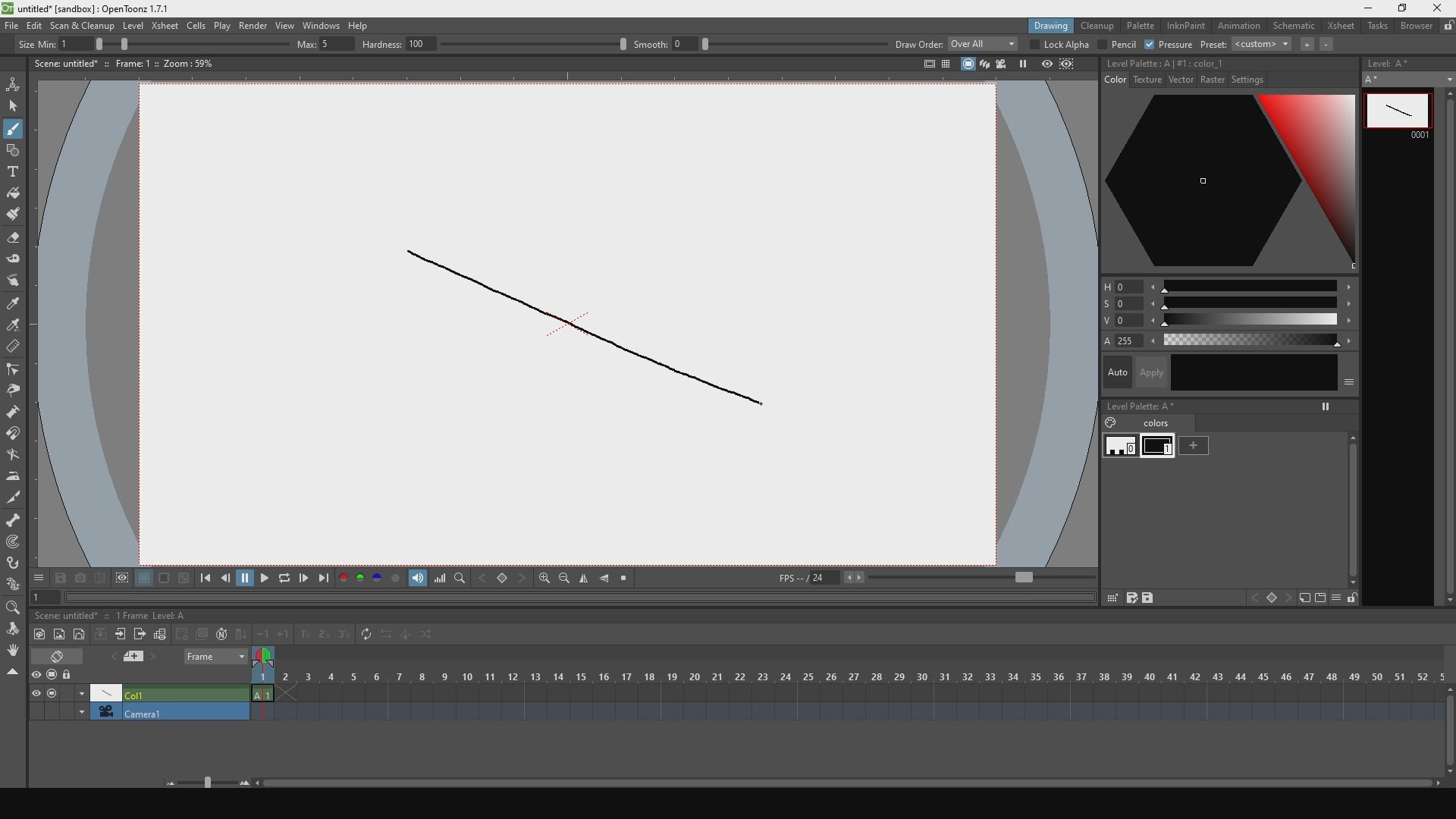 This screenshot has width=1456, height=819. Describe the element at coordinates (140, 657) in the screenshot. I see `previous and next file` at that location.